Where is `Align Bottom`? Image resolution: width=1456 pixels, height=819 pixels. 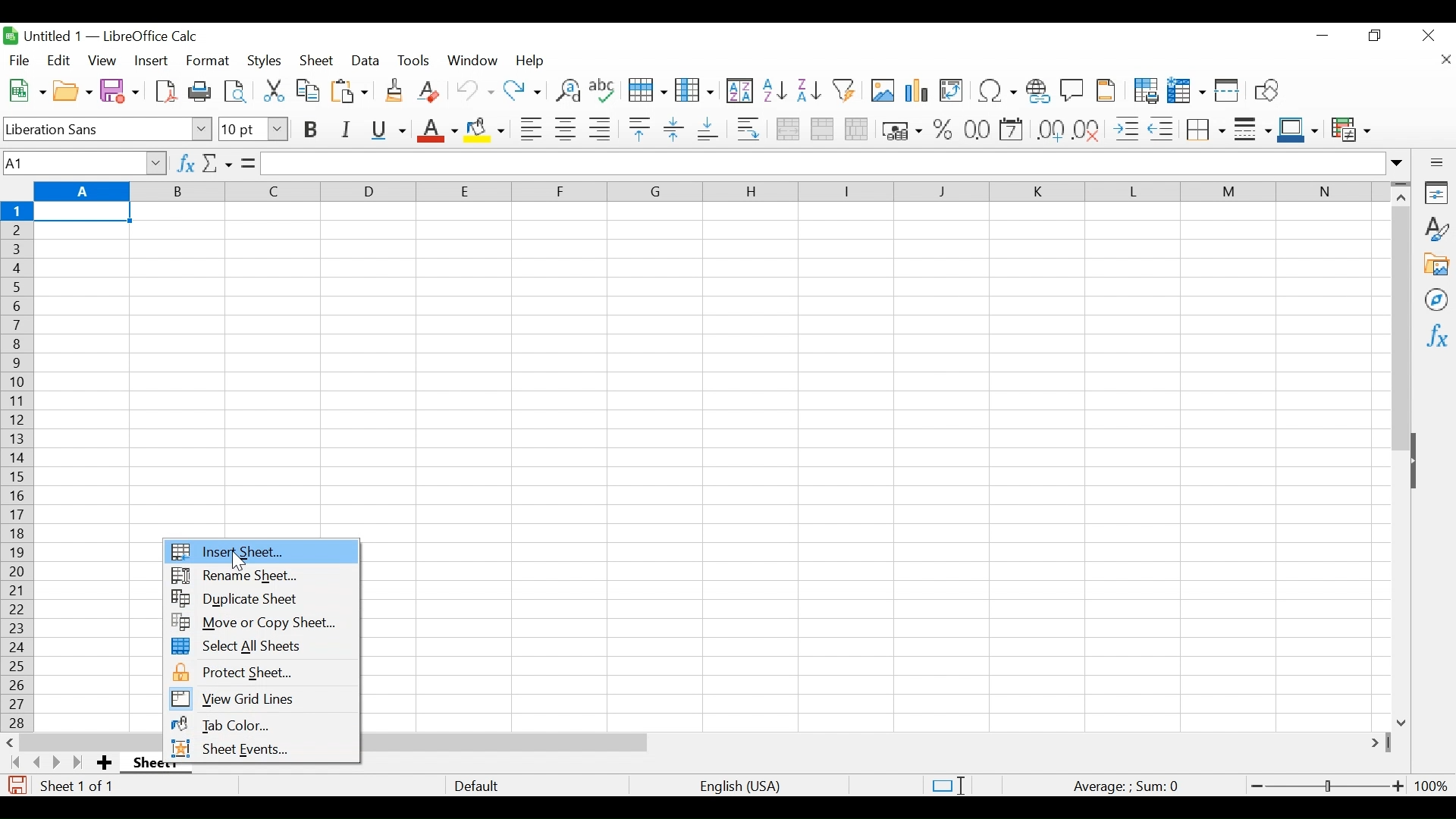 Align Bottom is located at coordinates (707, 130).